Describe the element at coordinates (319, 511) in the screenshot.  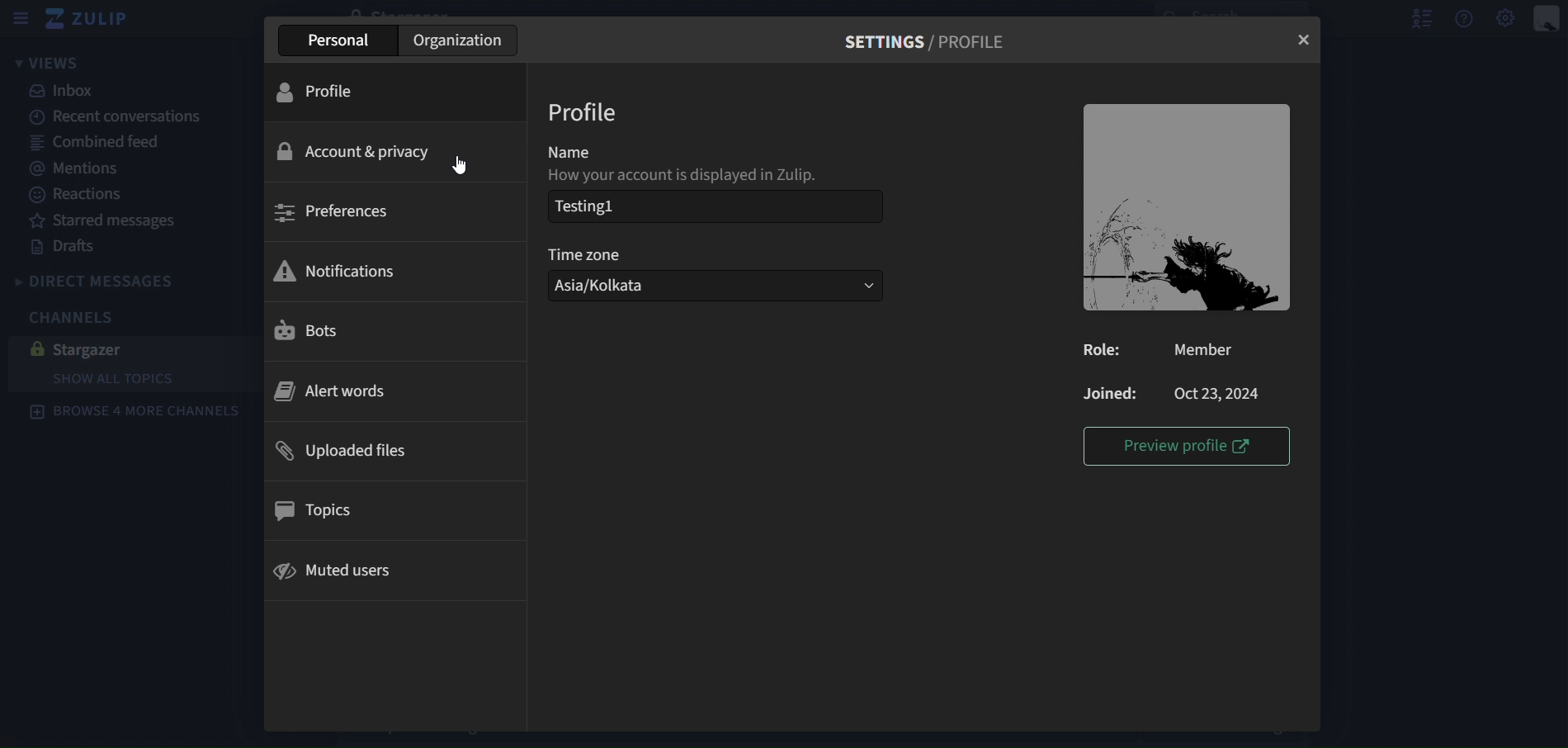
I see `topics` at that location.